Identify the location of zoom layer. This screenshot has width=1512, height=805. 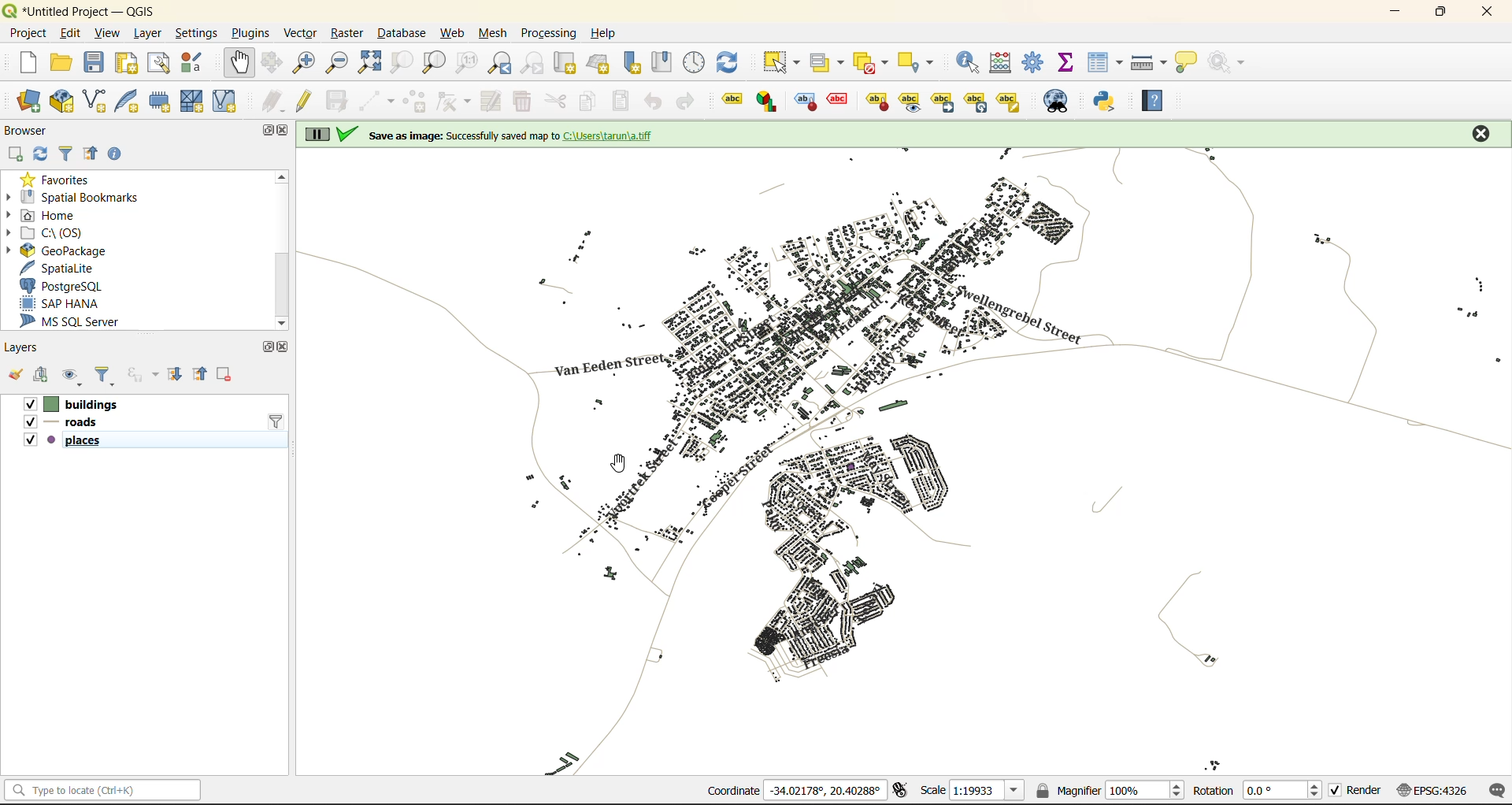
(435, 64).